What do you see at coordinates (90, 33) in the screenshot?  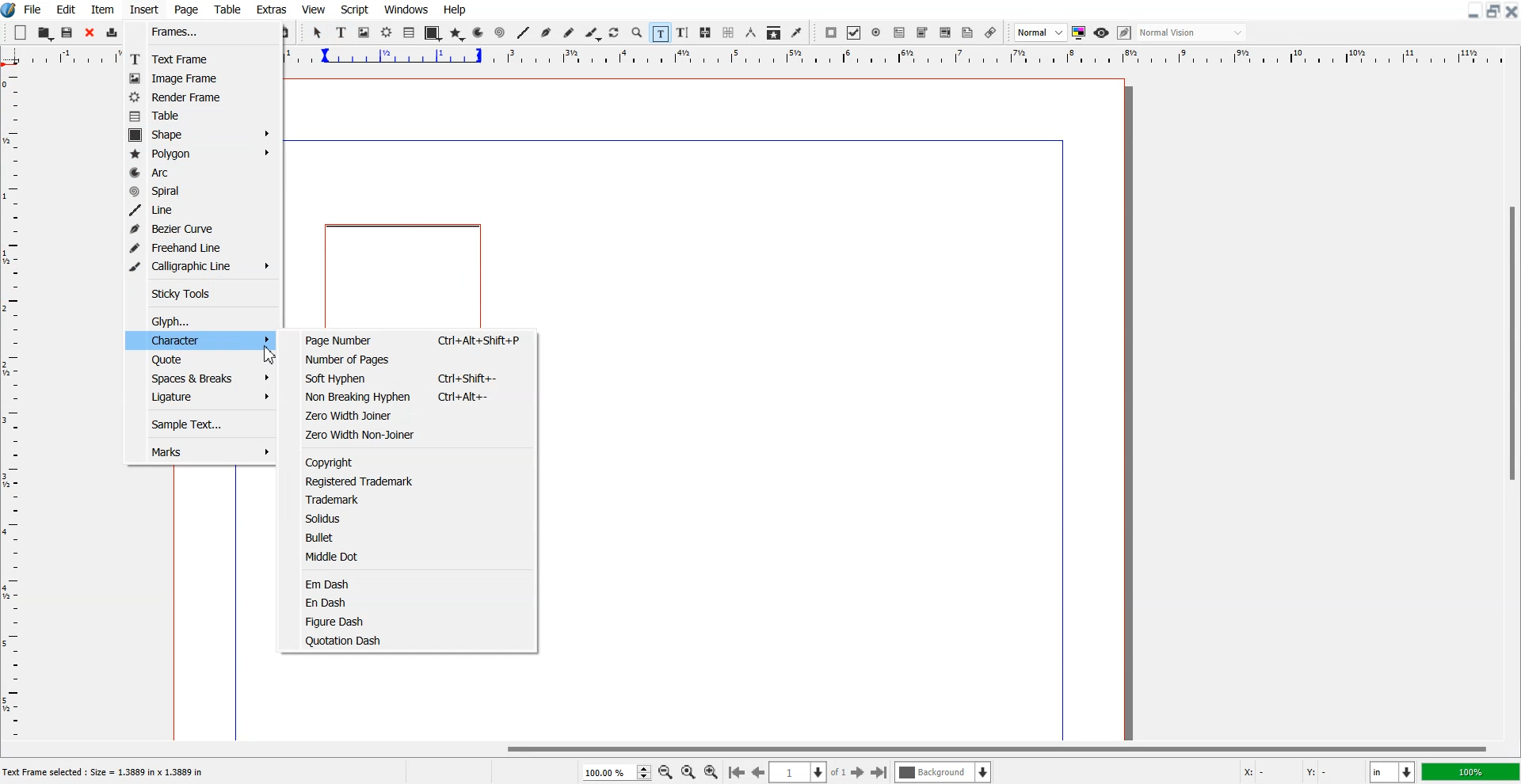 I see `Close` at bounding box center [90, 33].